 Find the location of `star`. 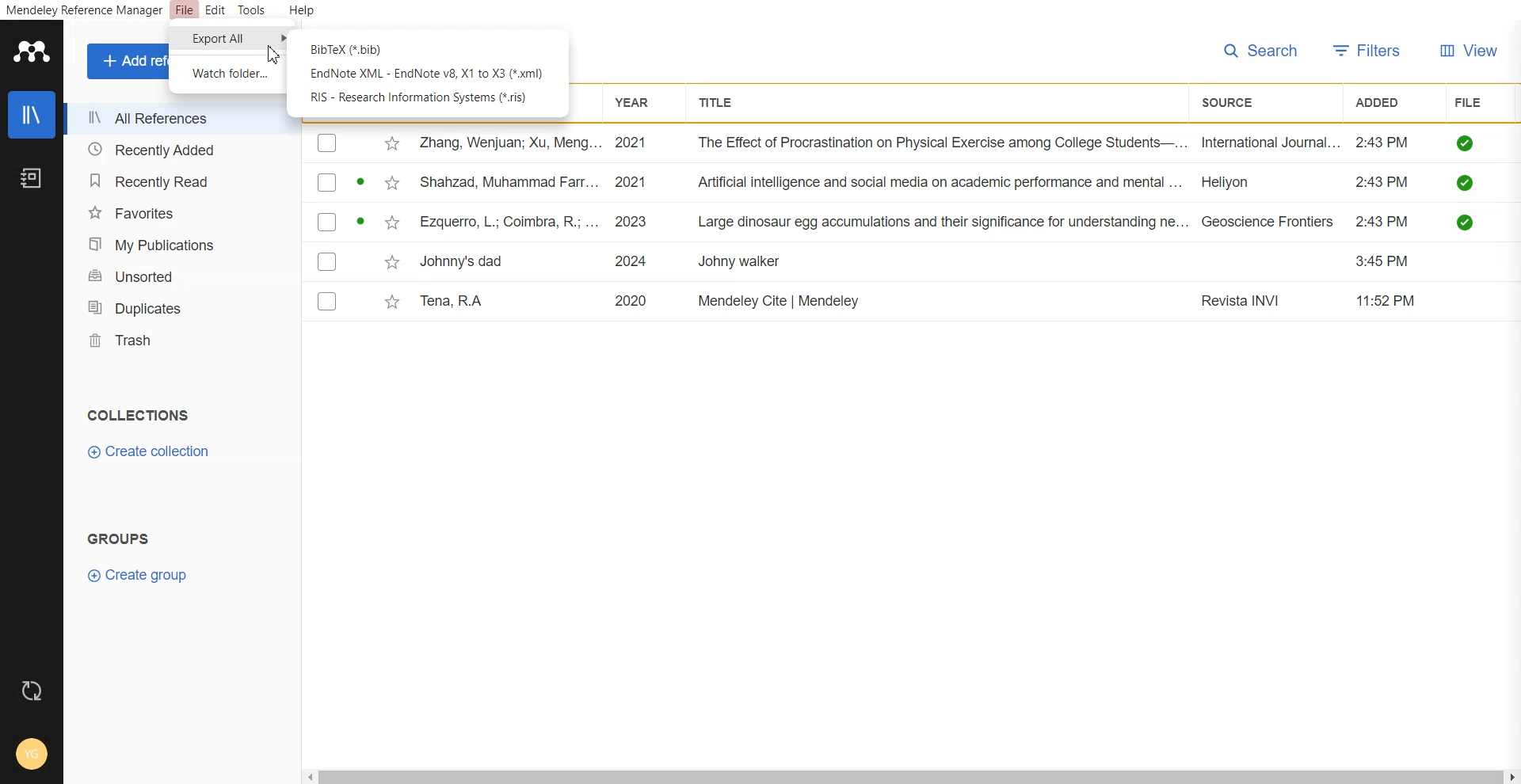

star is located at coordinates (391, 144).